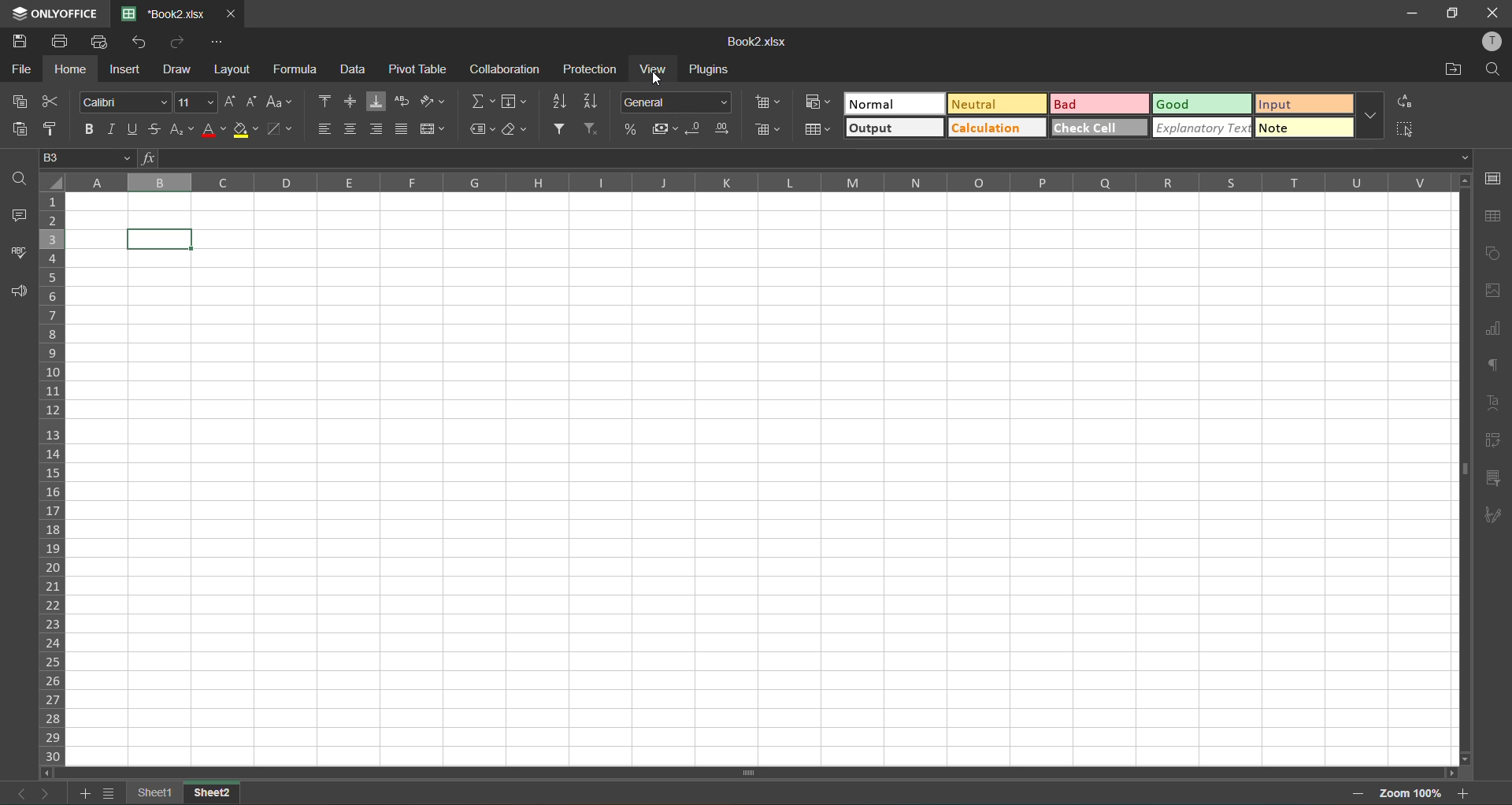 Image resolution: width=1512 pixels, height=805 pixels. Describe the element at coordinates (350, 102) in the screenshot. I see `align middle` at that location.